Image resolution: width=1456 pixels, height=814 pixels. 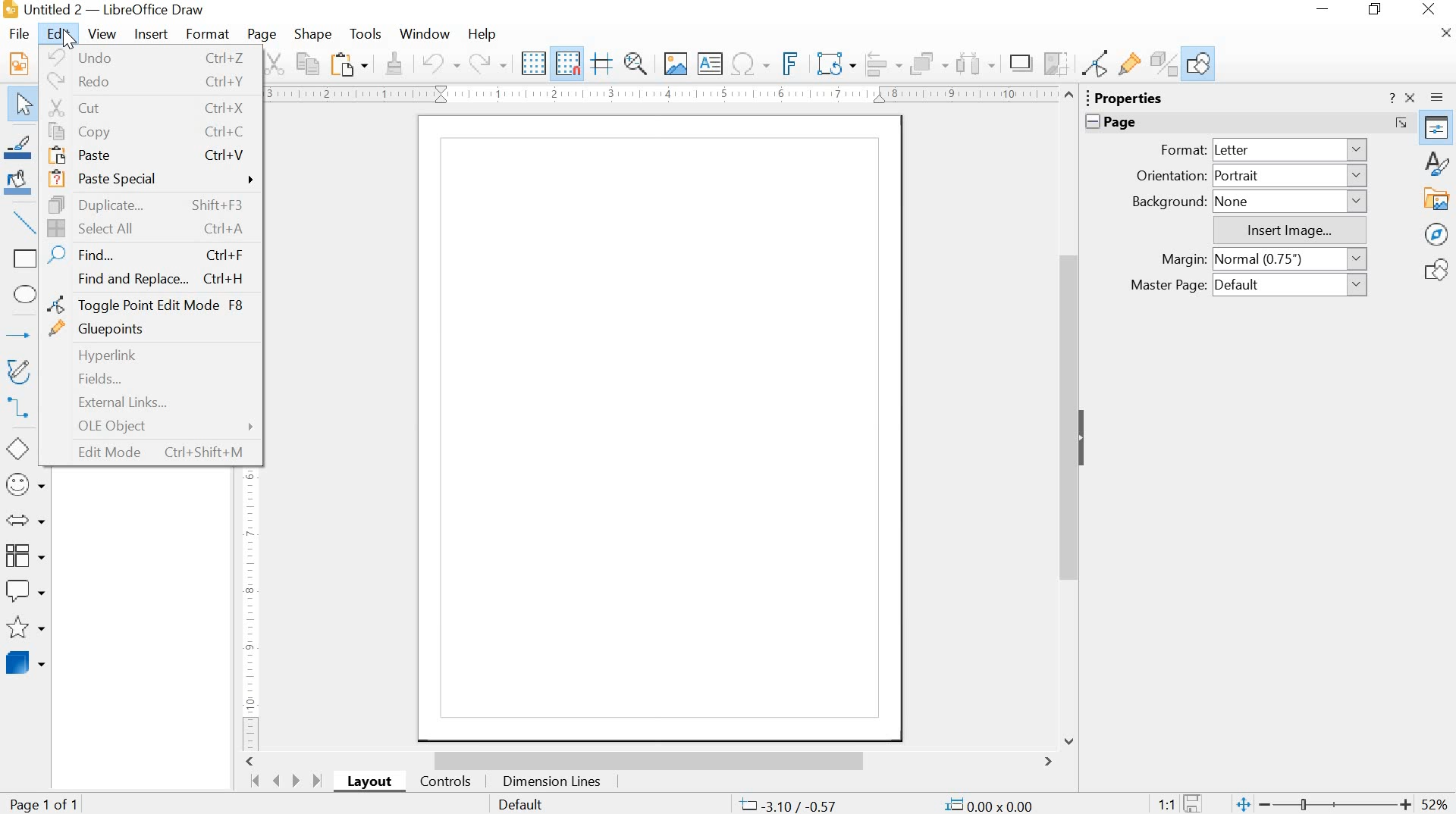 What do you see at coordinates (144, 403) in the screenshot?
I see `external links` at bounding box center [144, 403].